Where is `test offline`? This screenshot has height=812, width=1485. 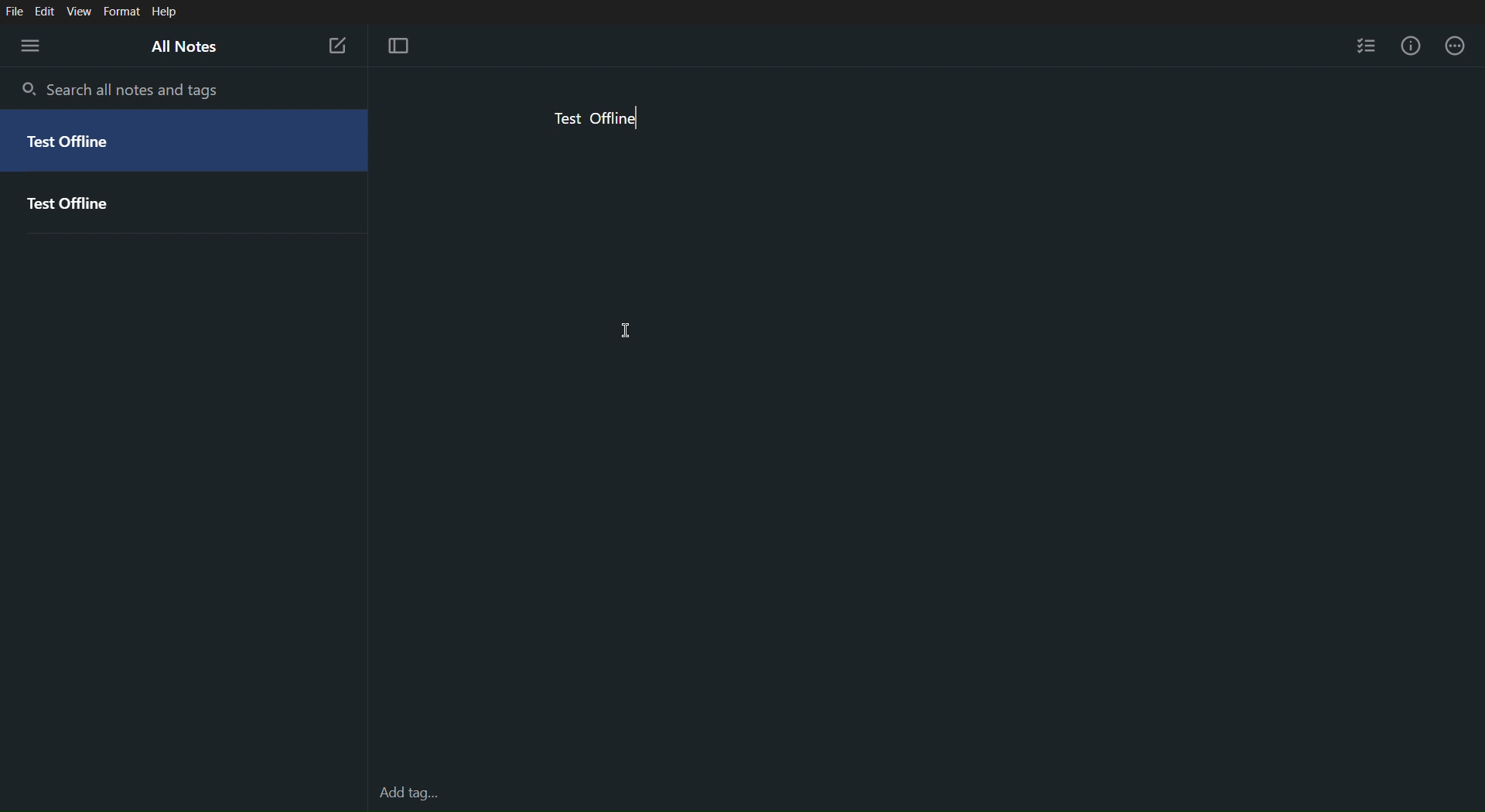
test offline is located at coordinates (593, 119).